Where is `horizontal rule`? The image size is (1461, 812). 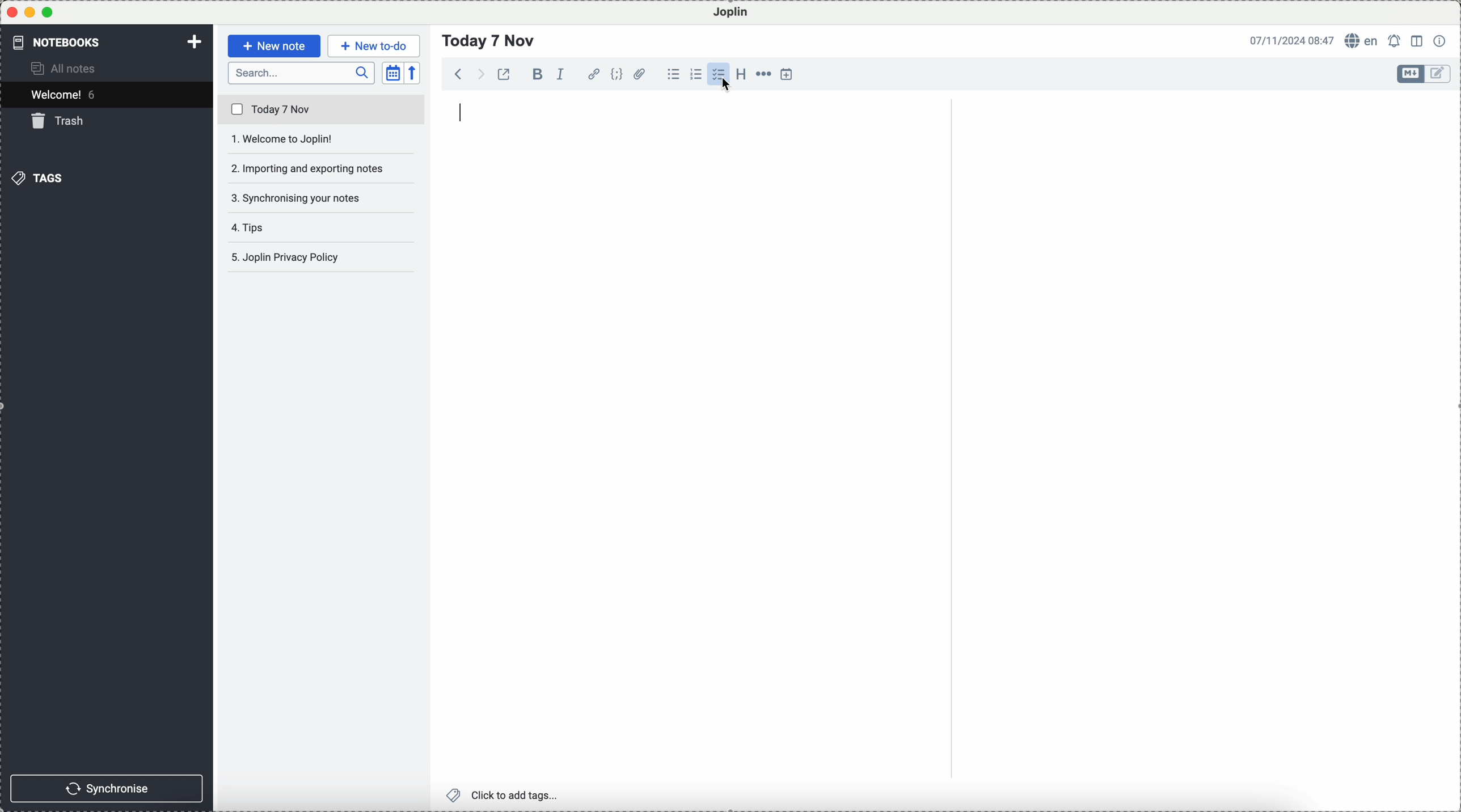
horizontal rule is located at coordinates (763, 74).